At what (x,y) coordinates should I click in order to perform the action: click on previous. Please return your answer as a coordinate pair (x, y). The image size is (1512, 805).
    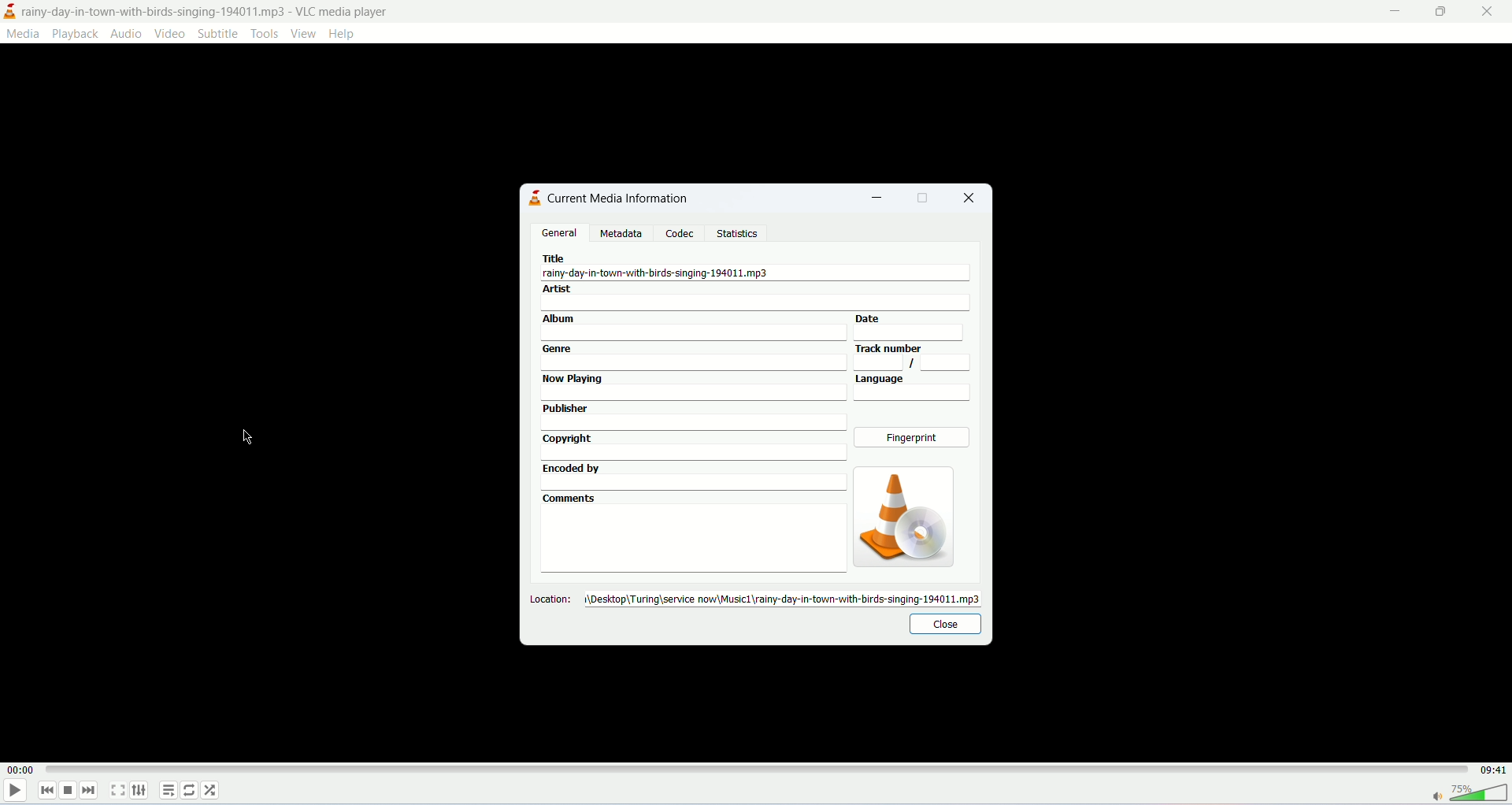
    Looking at the image, I should click on (46, 791).